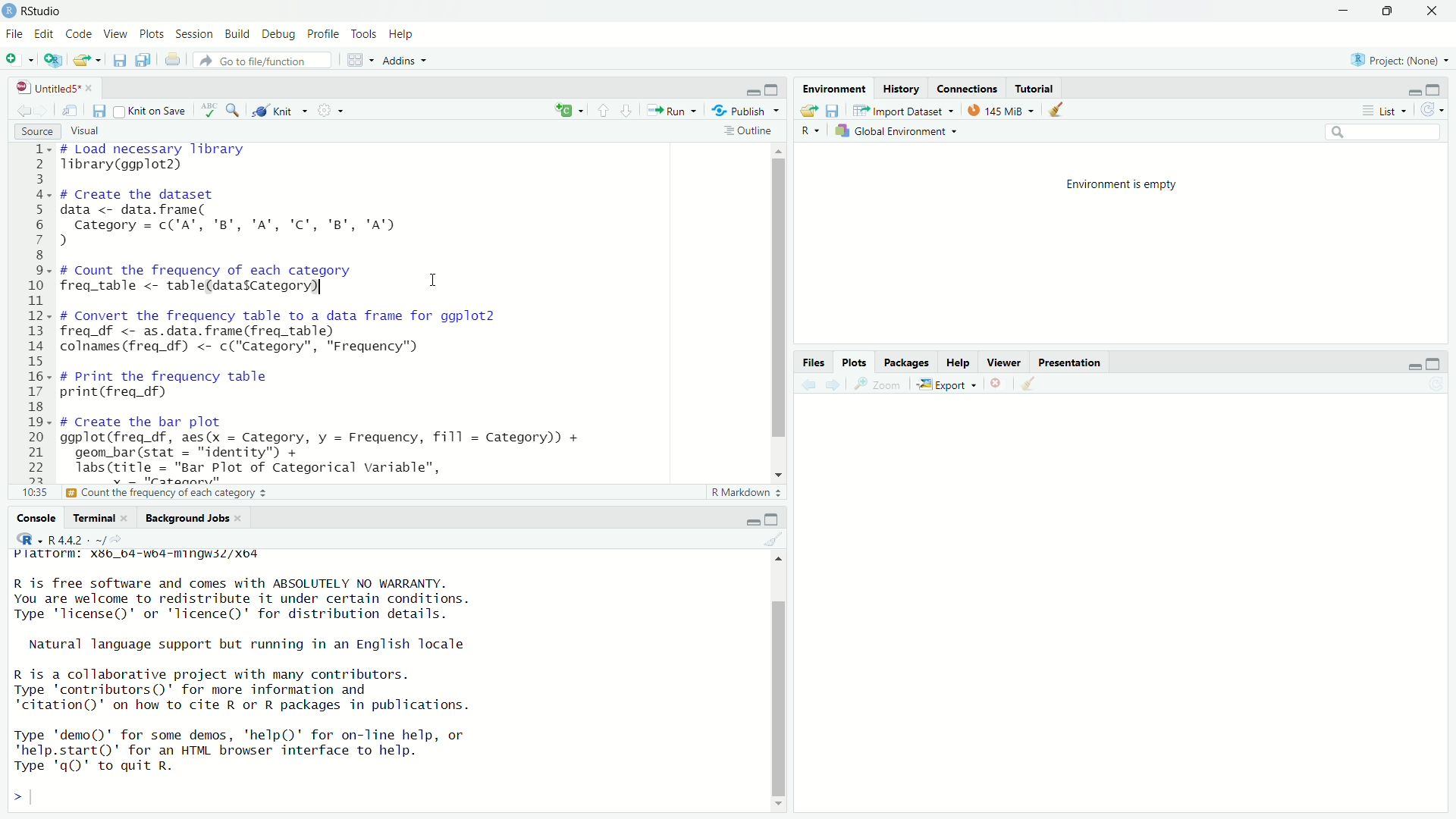  I want to click on icon, so click(25, 538).